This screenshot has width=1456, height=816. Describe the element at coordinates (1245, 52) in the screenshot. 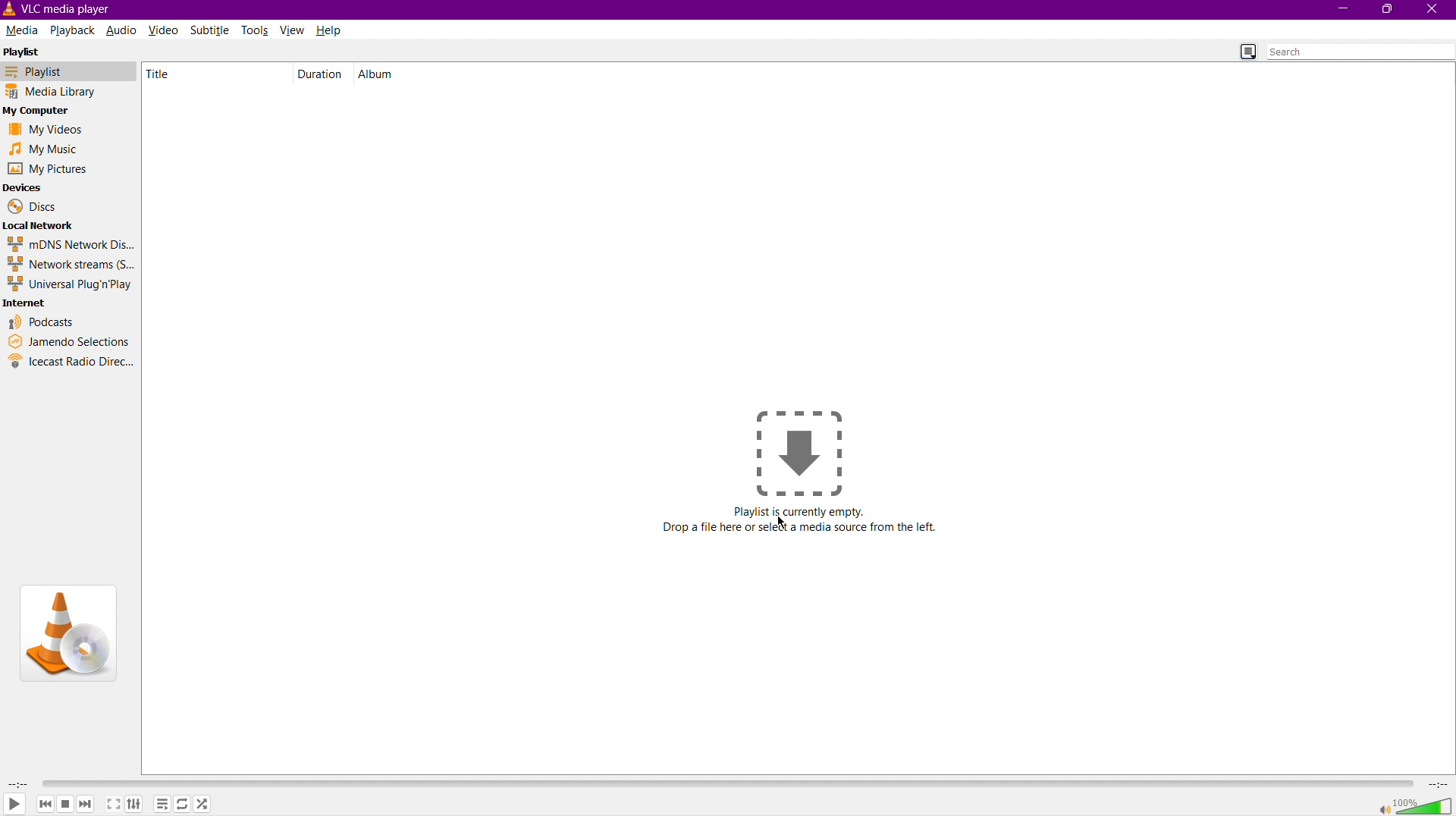

I see `Toggle Playlist view` at that location.